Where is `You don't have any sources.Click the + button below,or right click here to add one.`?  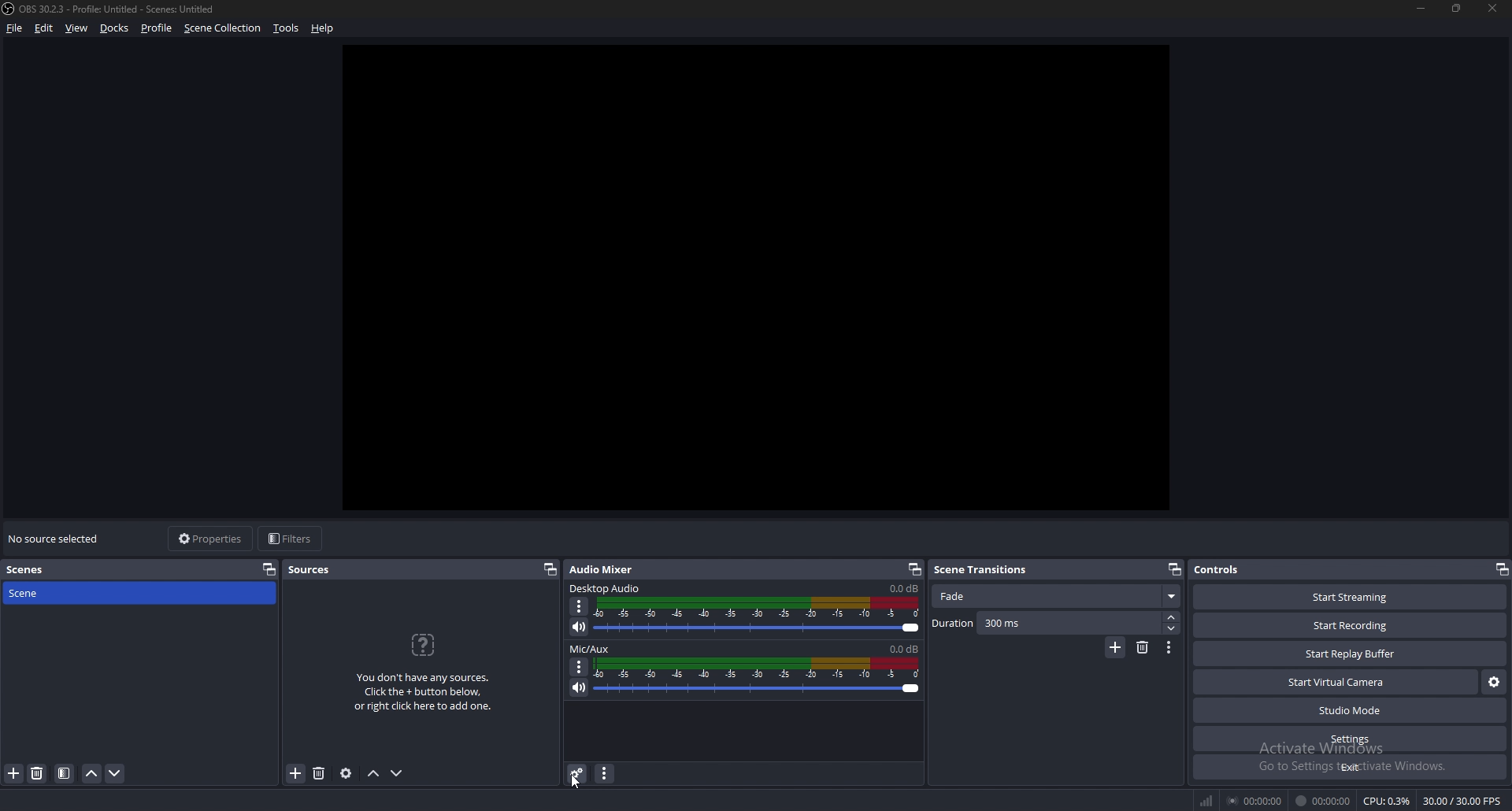
You don't have any sources.Click the + button below,or right click here to add one. is located at coordinates (423, 694).